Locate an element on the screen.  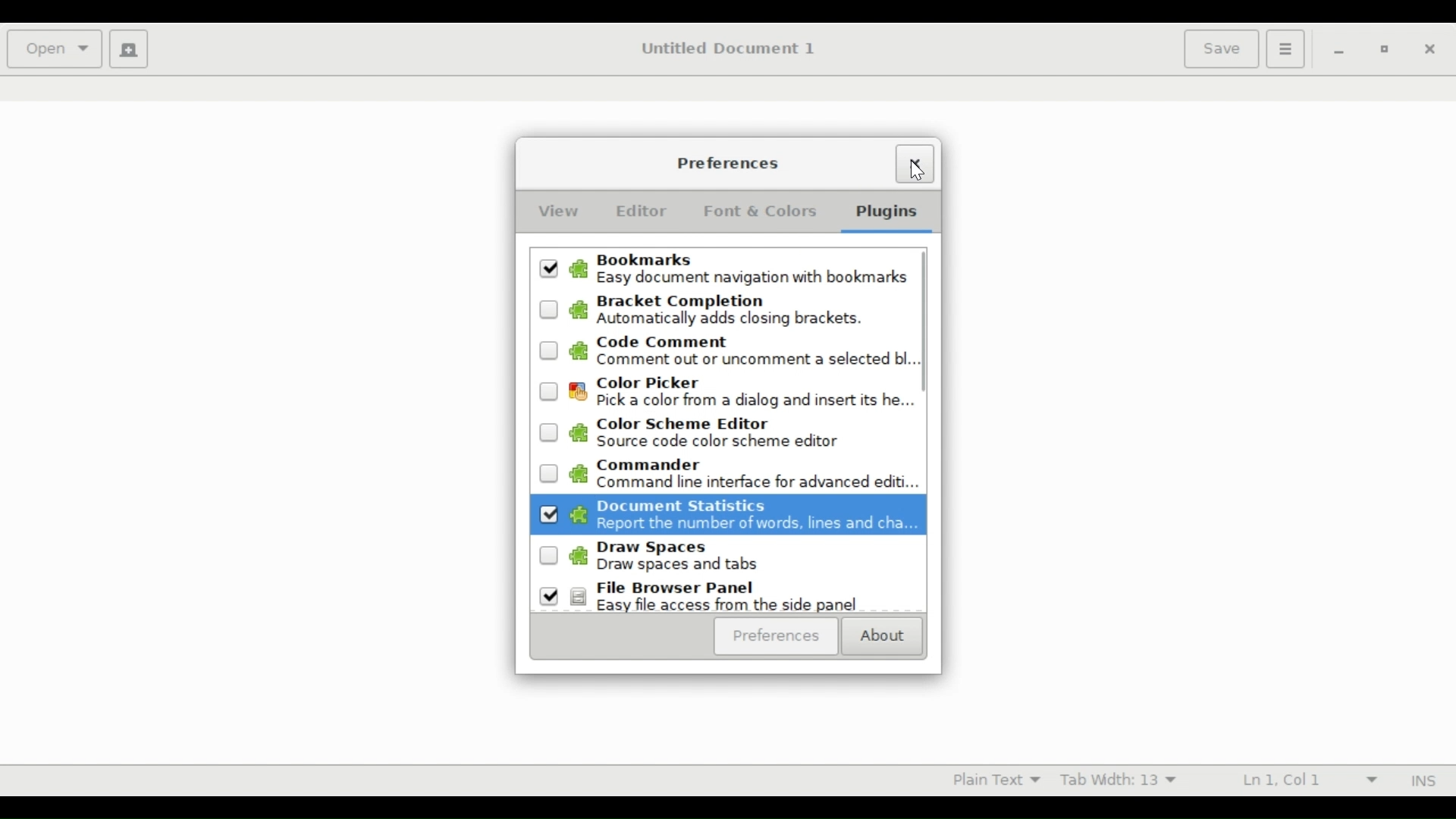
(un)select Bracket Completion. Automatically addsclosing brackets is located at coordinates (739, 311).